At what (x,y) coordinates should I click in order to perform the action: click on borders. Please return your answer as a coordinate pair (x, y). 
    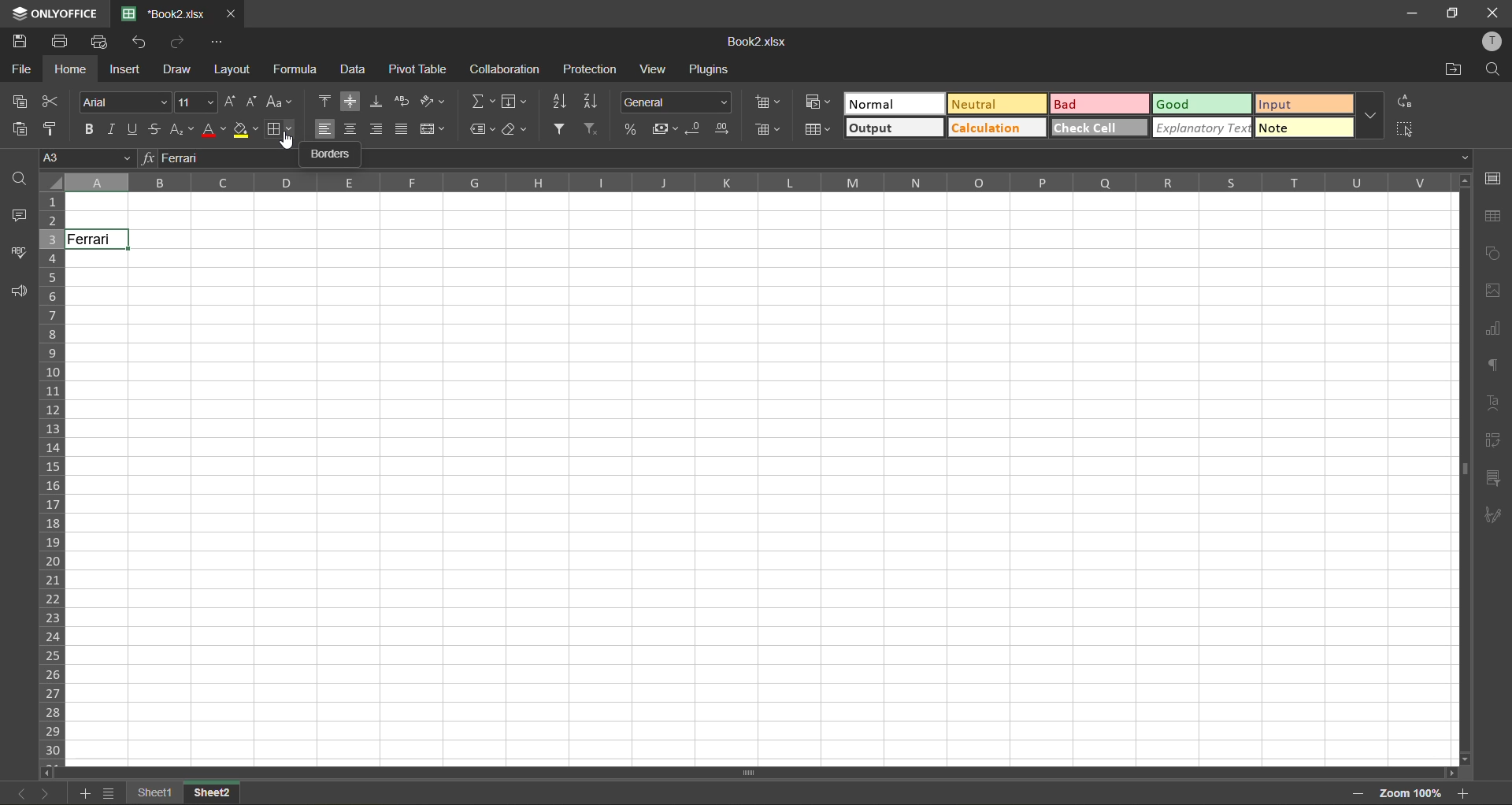
    Looking at the image, I should click on (280, 131).